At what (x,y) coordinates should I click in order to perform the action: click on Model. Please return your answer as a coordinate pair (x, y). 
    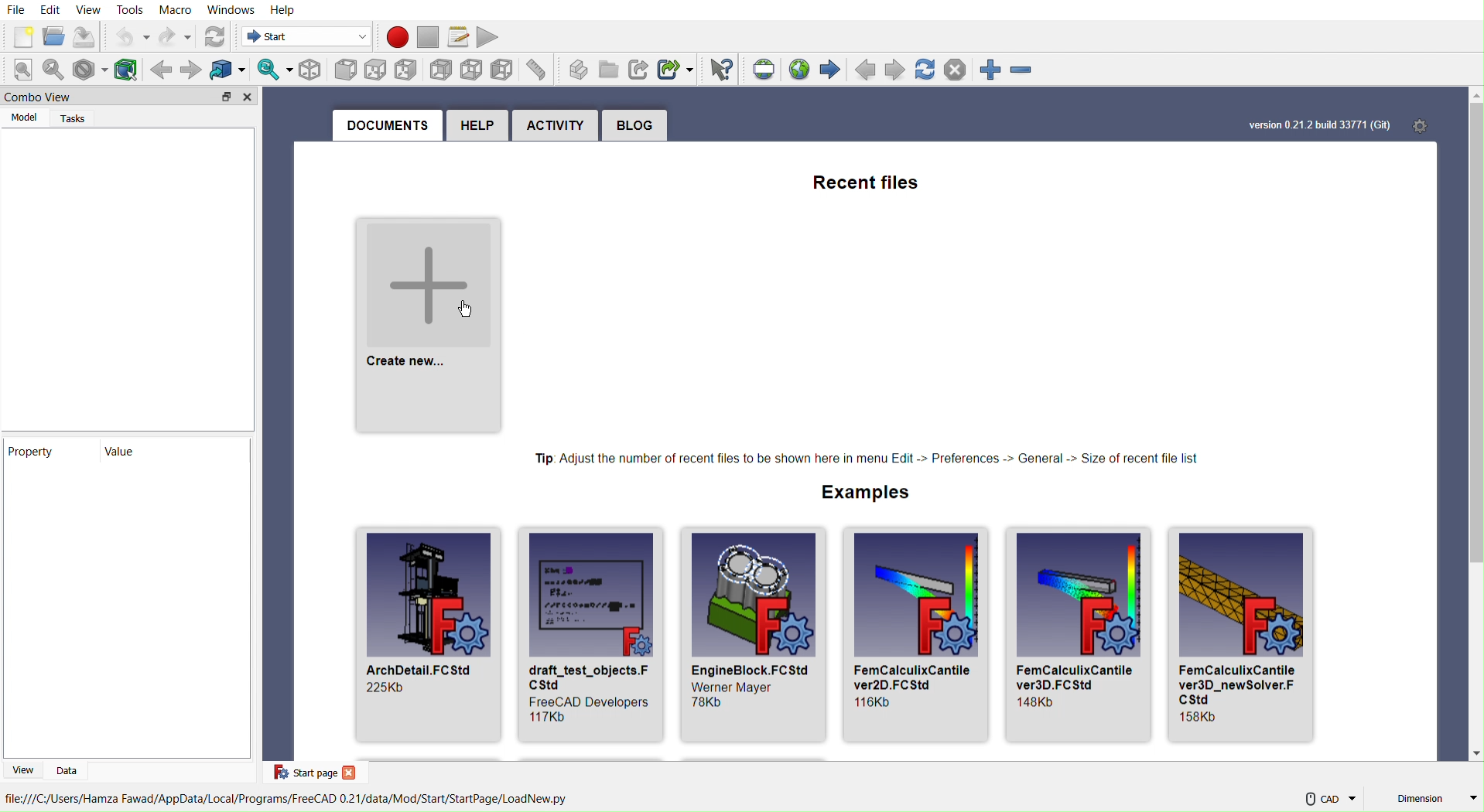
    Looking at the image, I should click on (22, 118).